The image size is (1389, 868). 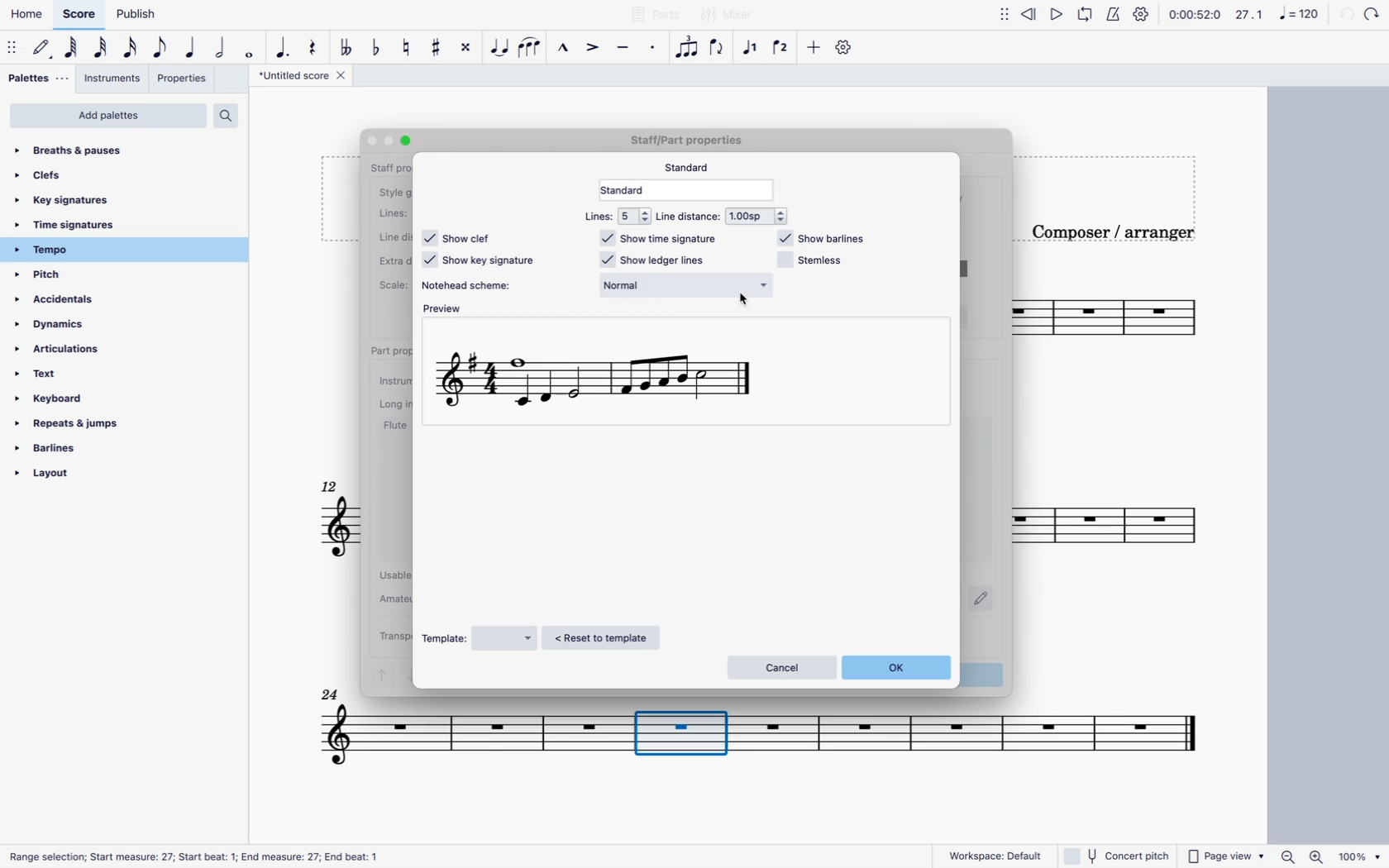 I want to click on articulations, so click(x=79, y=350).